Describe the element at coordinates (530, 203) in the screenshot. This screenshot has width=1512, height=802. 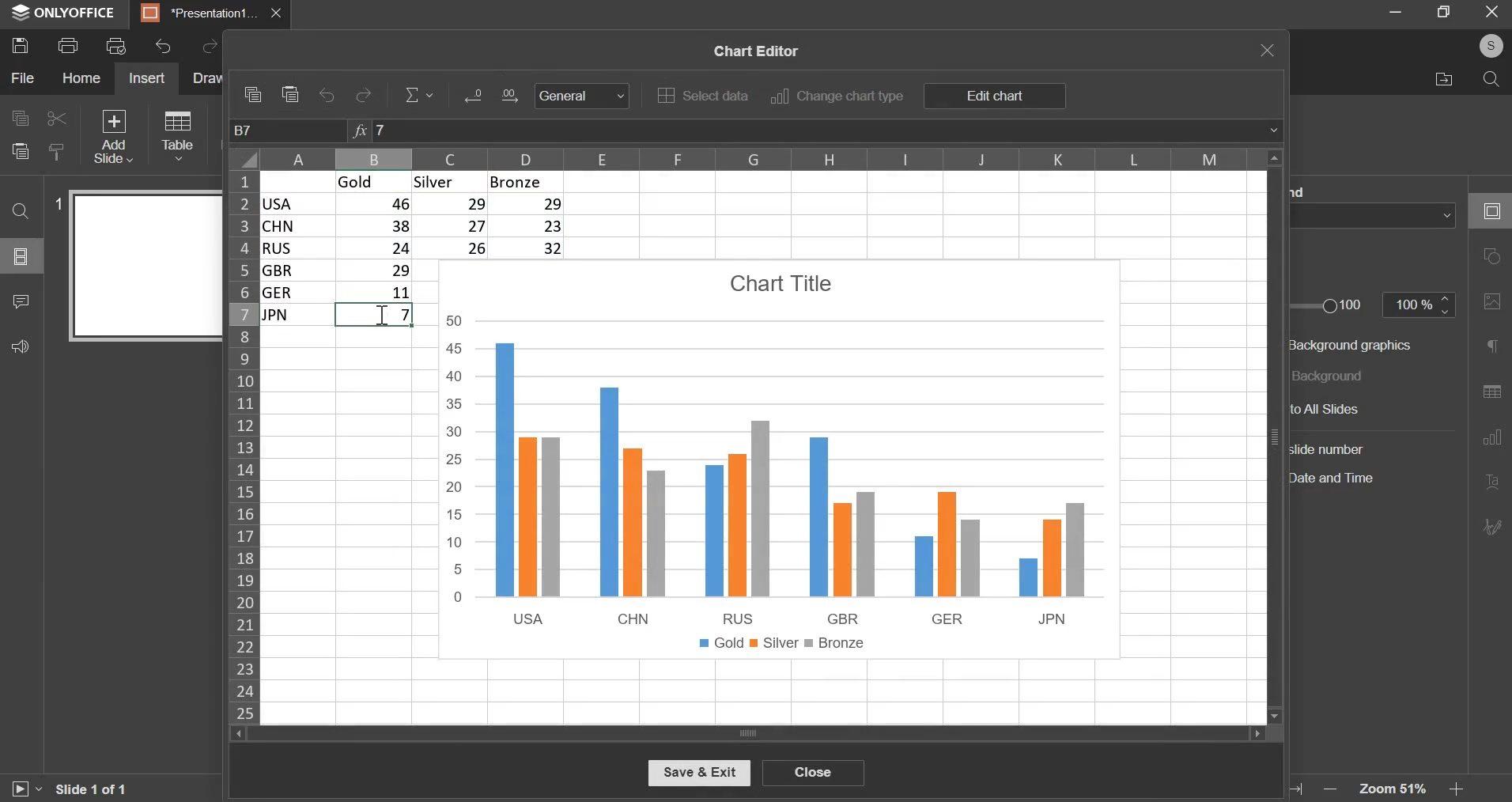
I see `29` at that location.